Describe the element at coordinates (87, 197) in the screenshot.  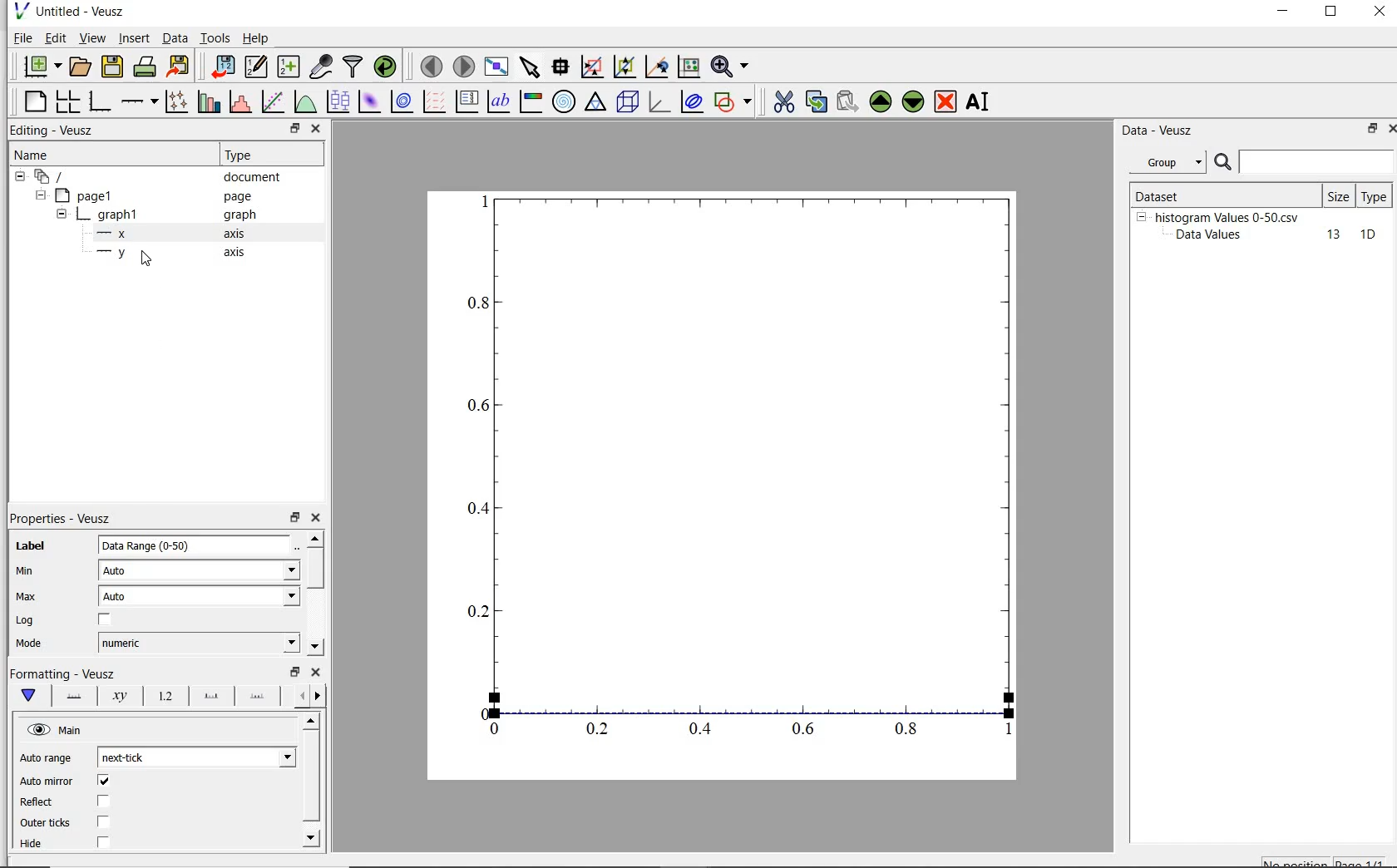
I see `page1` at that location.